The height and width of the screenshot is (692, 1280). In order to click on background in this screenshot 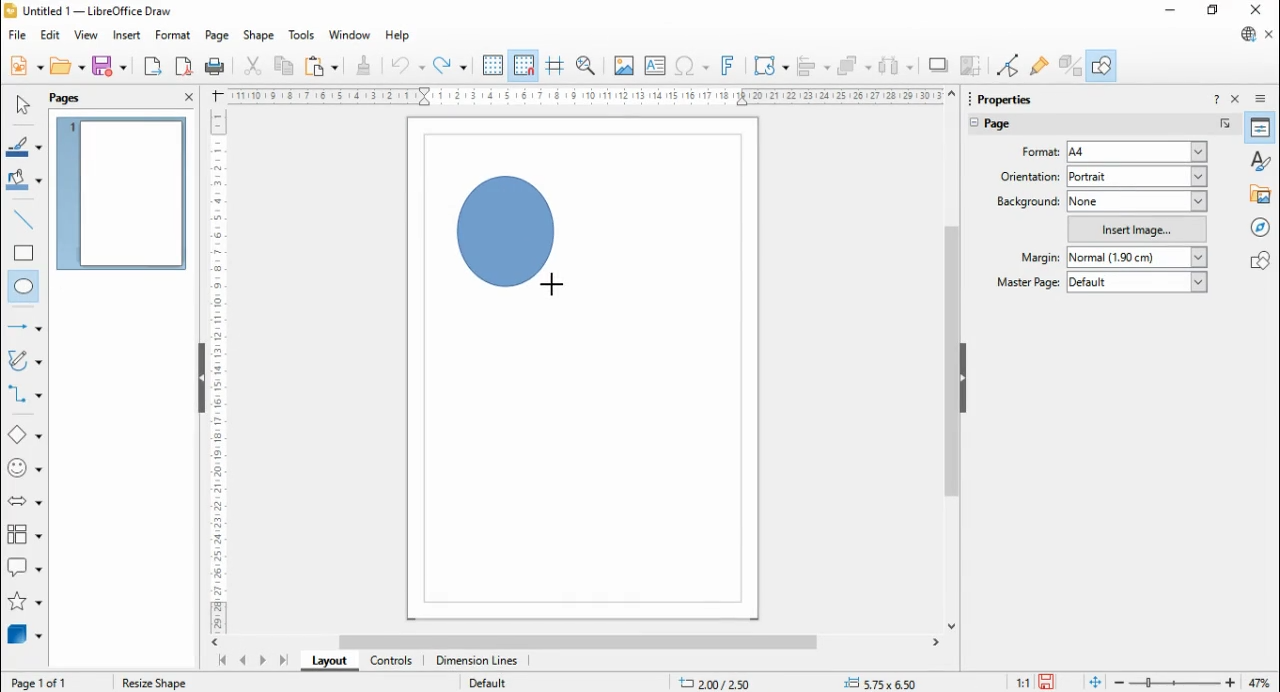, I will do `click(1028, 201)`.